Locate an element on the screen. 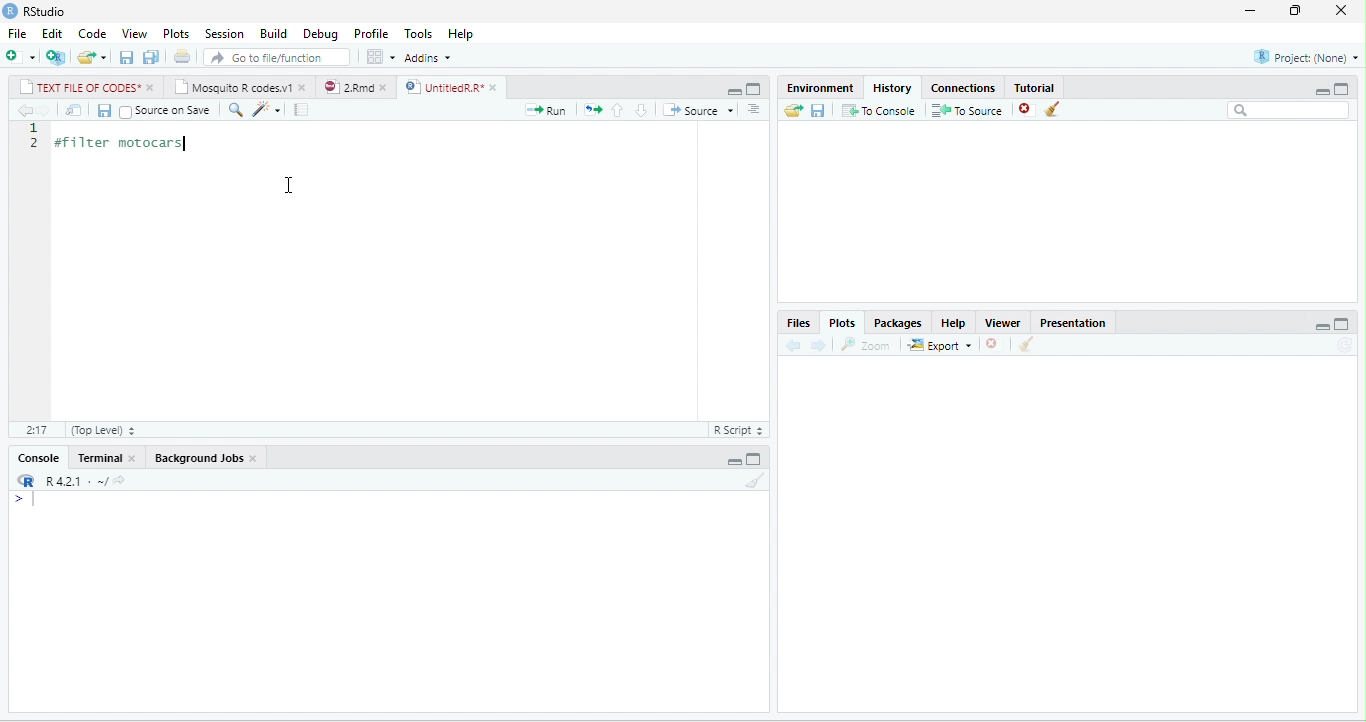 This screenshot has width=1366, height=722. #filter motocars is located at coordinates (129, 144).